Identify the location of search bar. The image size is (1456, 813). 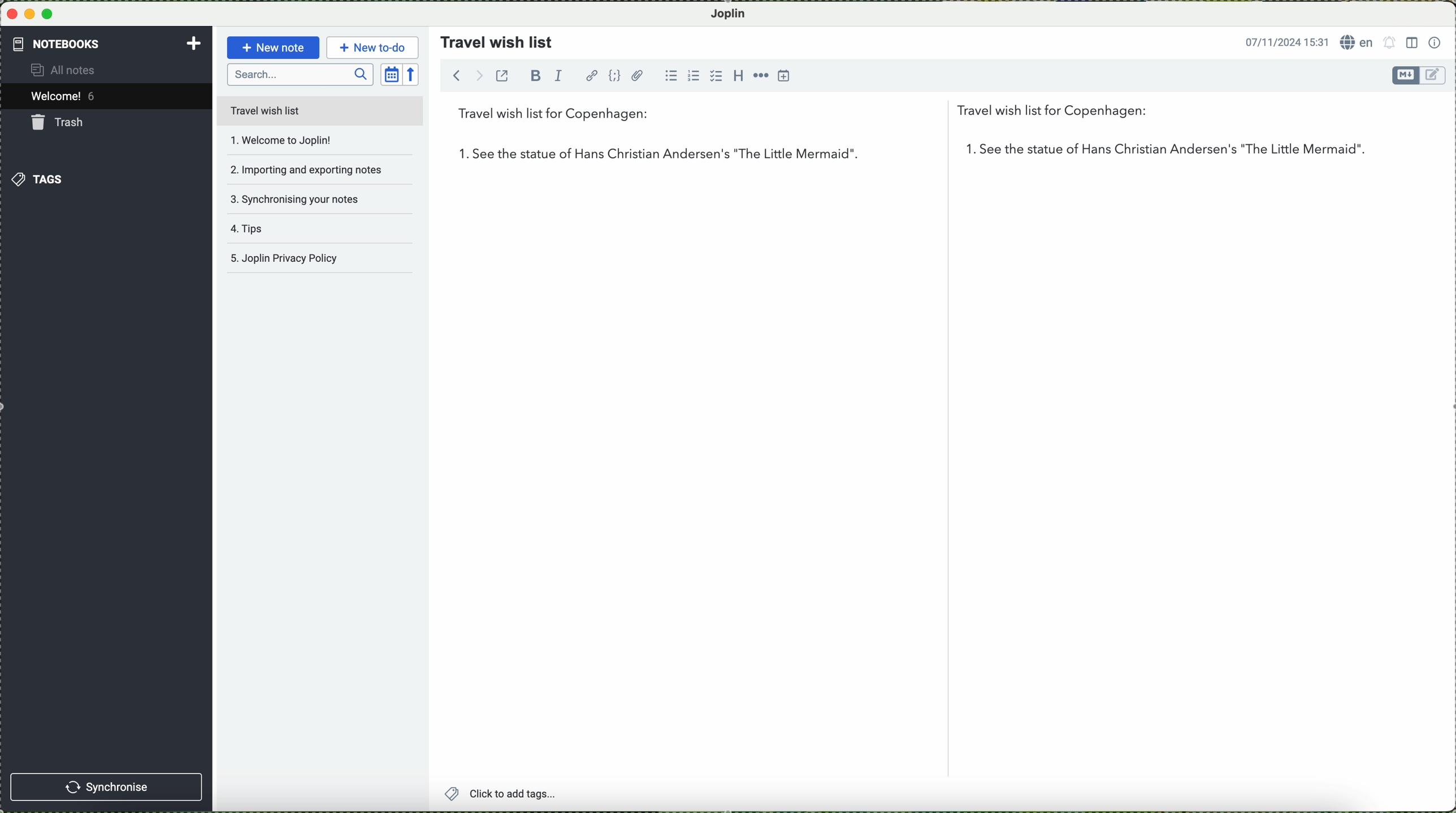
(300, 75).